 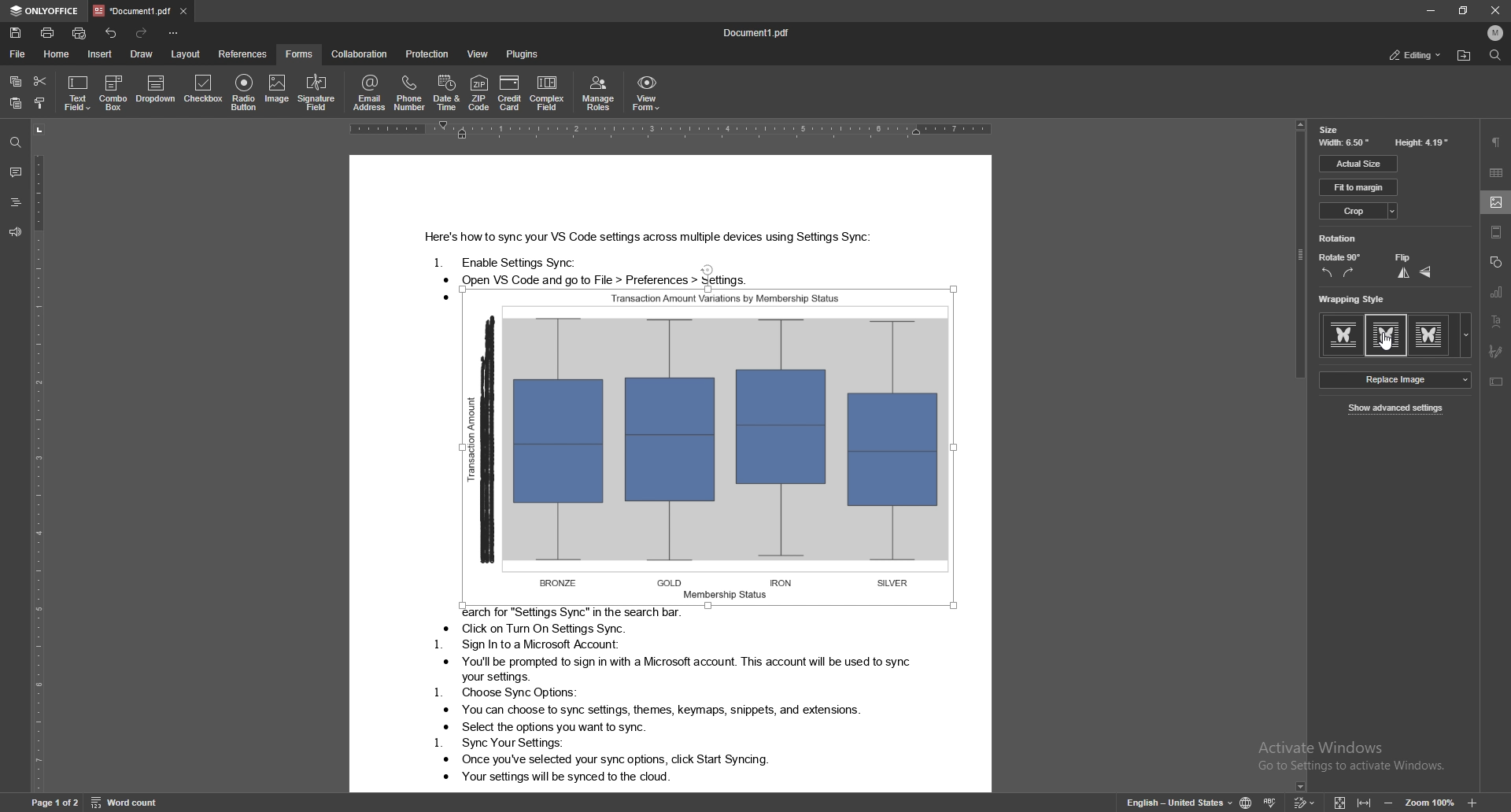 What do you see at coordinates (1361, 211) in the screenshot?
I see `crop` at bounding box center [1361, 211].